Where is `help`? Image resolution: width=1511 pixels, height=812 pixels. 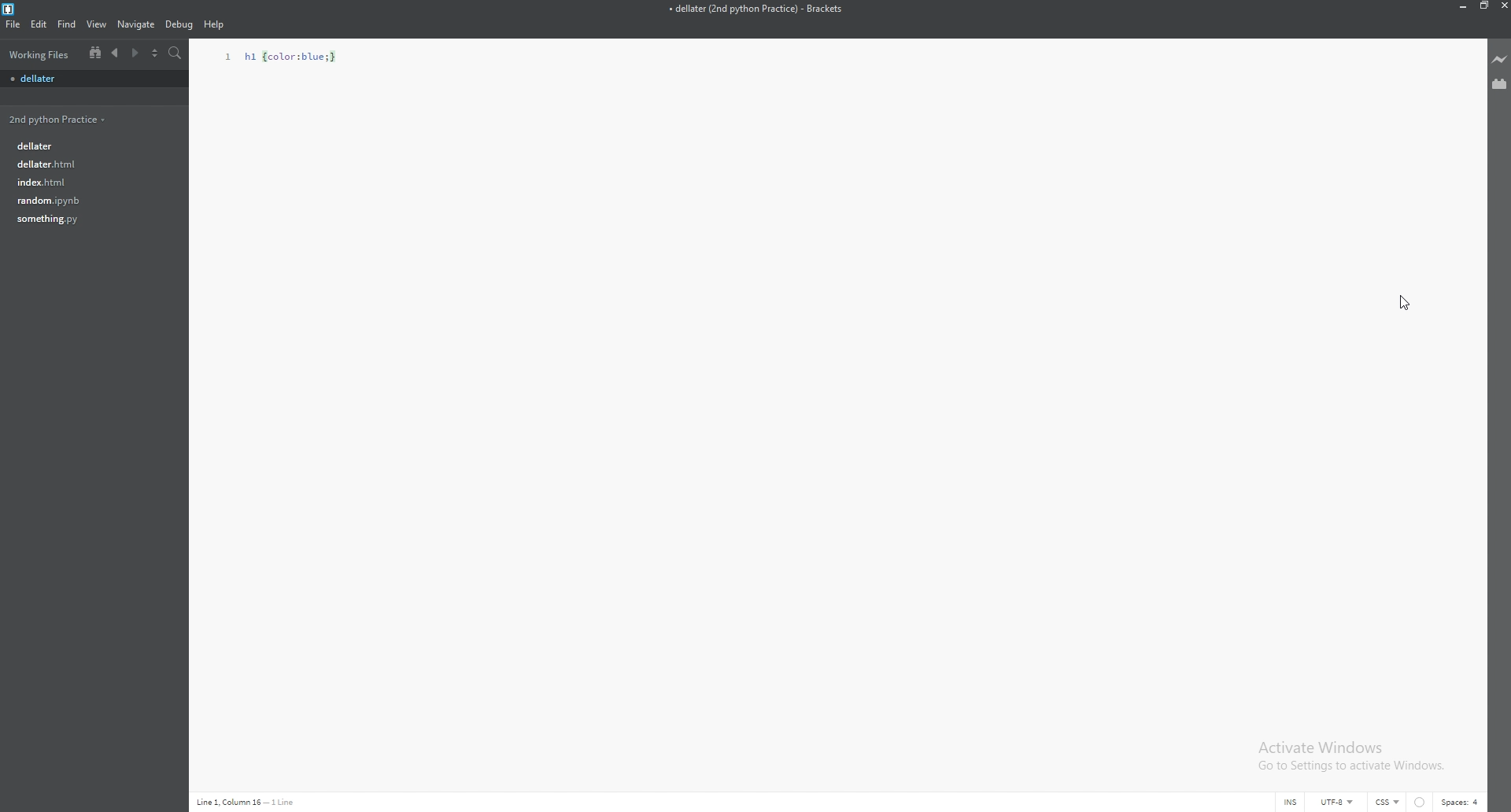 help is located at coordinates (215, 25).